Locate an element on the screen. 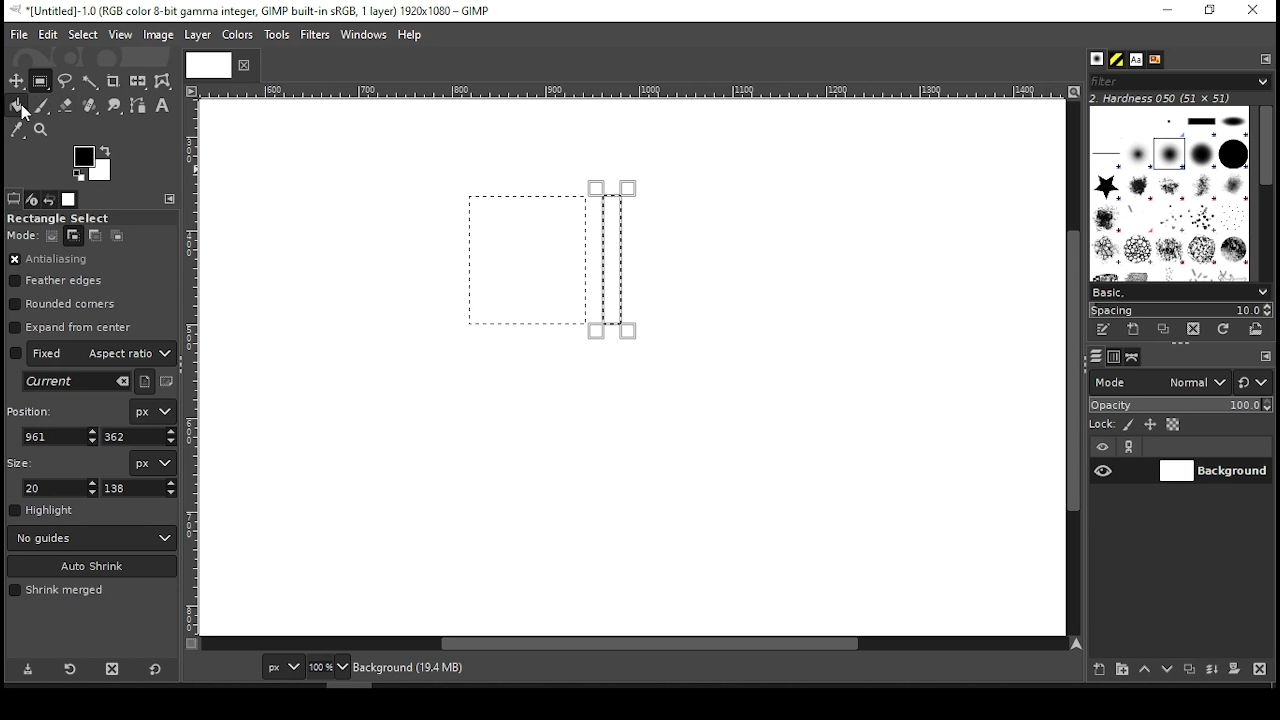  minimize is located at coordinates (1166, 11).